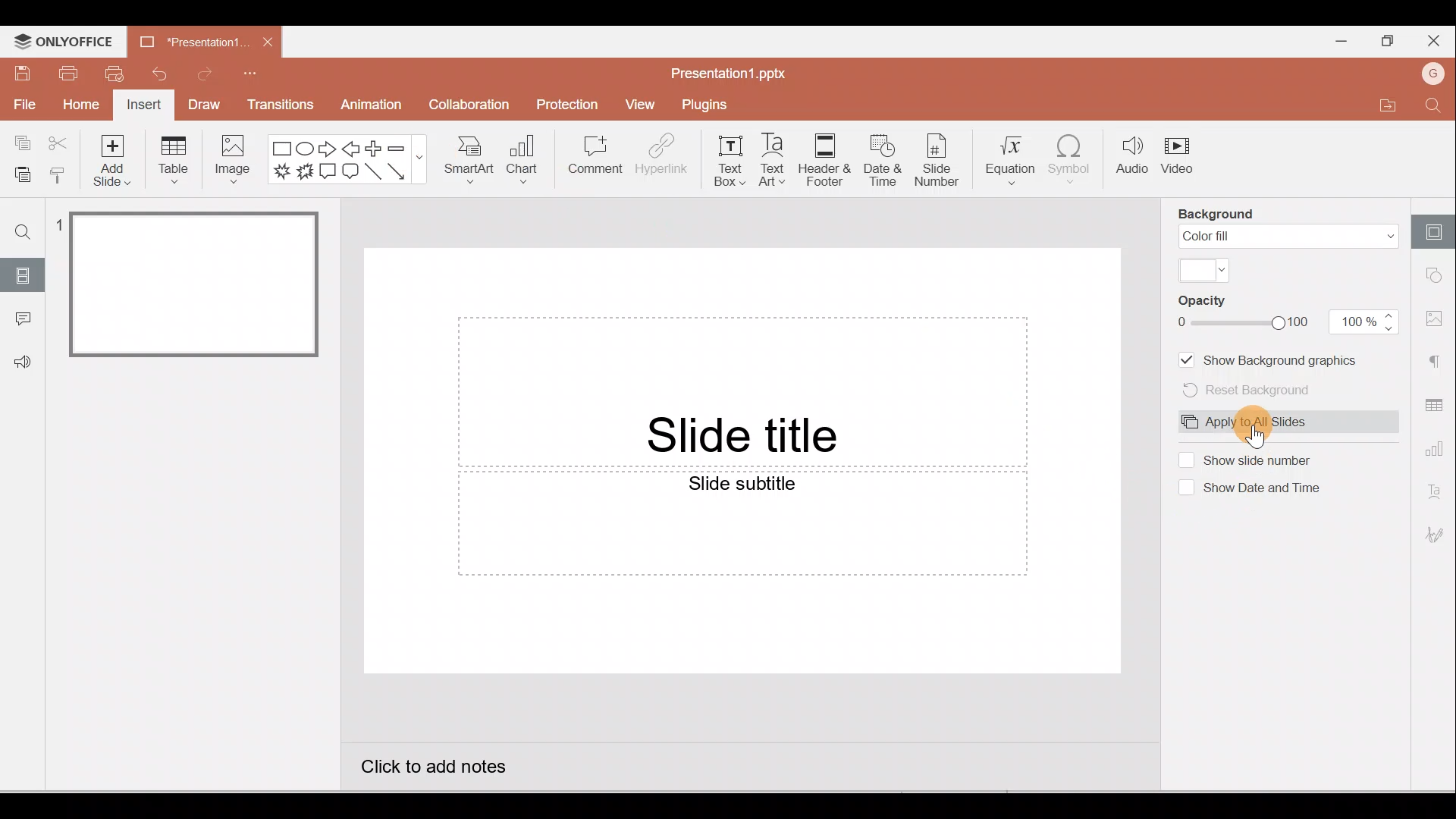  I want to click on Text Art, so click(773, 160).